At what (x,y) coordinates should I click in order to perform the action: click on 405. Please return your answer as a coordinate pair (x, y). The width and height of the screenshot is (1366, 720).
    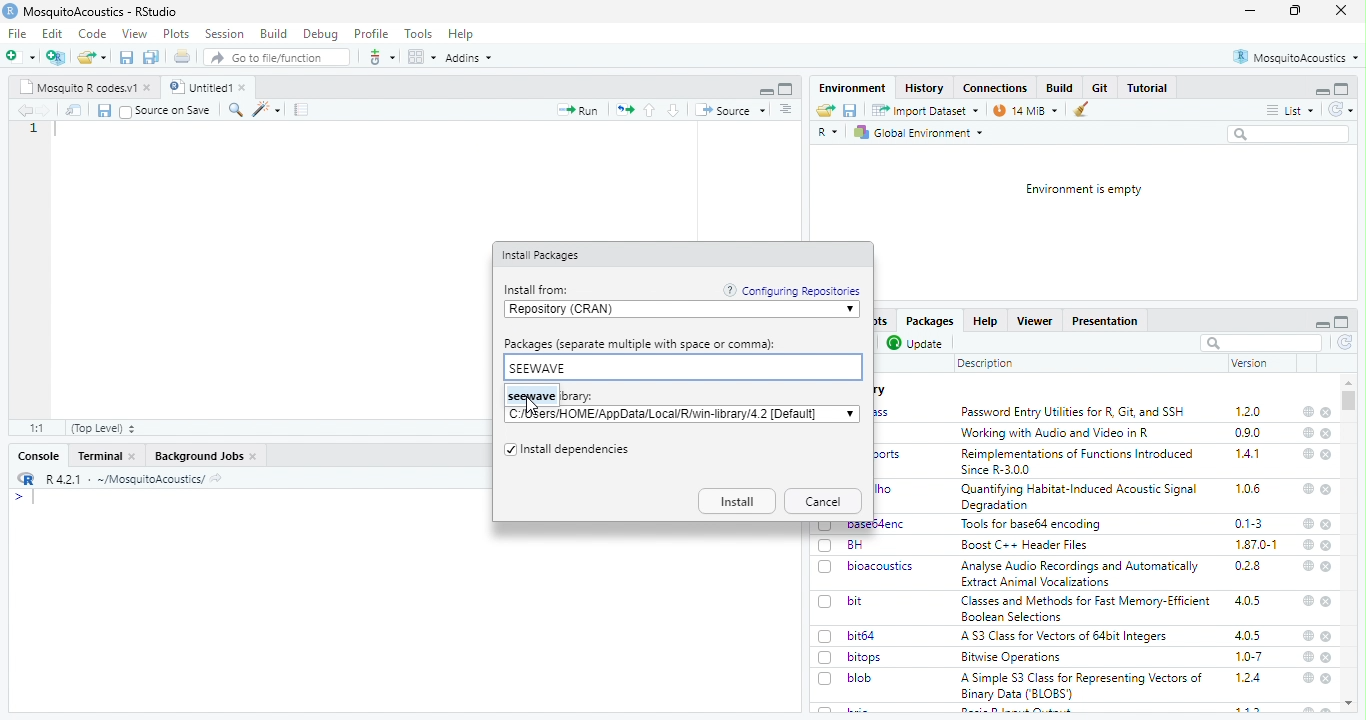
    Looking at the image, I should click on (1249, 636).